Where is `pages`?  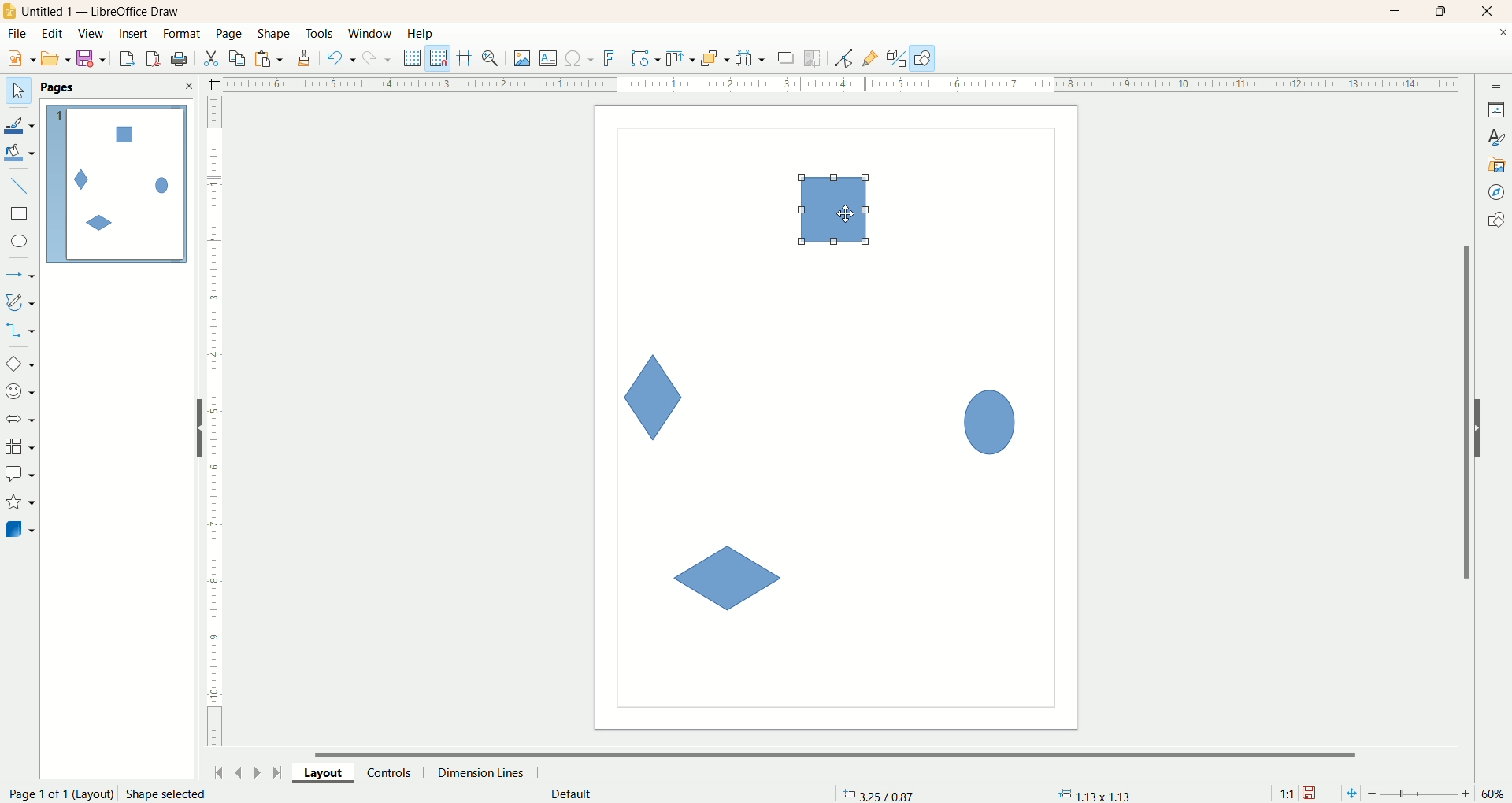
pages is located at coordinates (57, 87).